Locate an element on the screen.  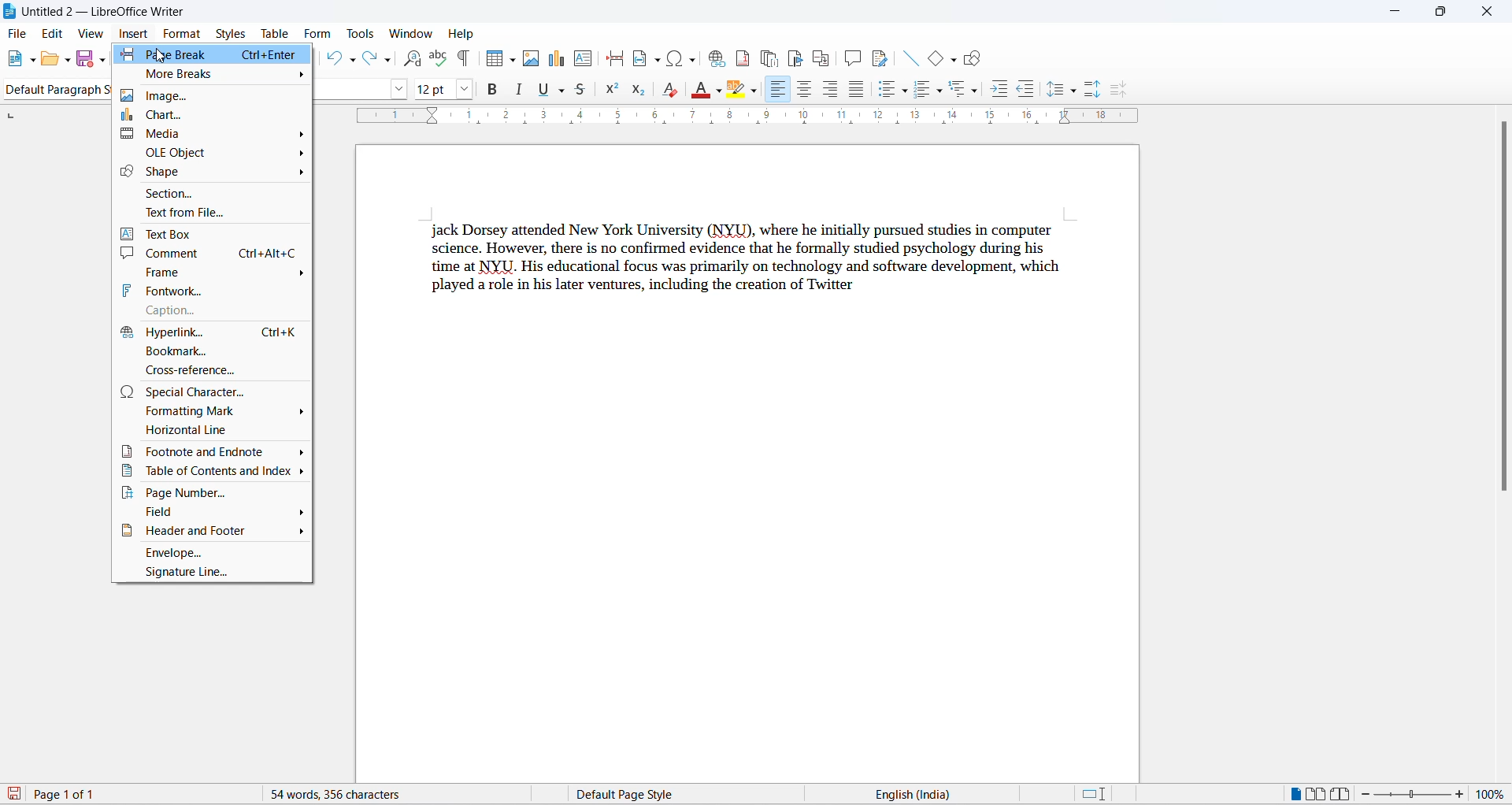
toggle unordered list options is located at coordinates (906, 93).